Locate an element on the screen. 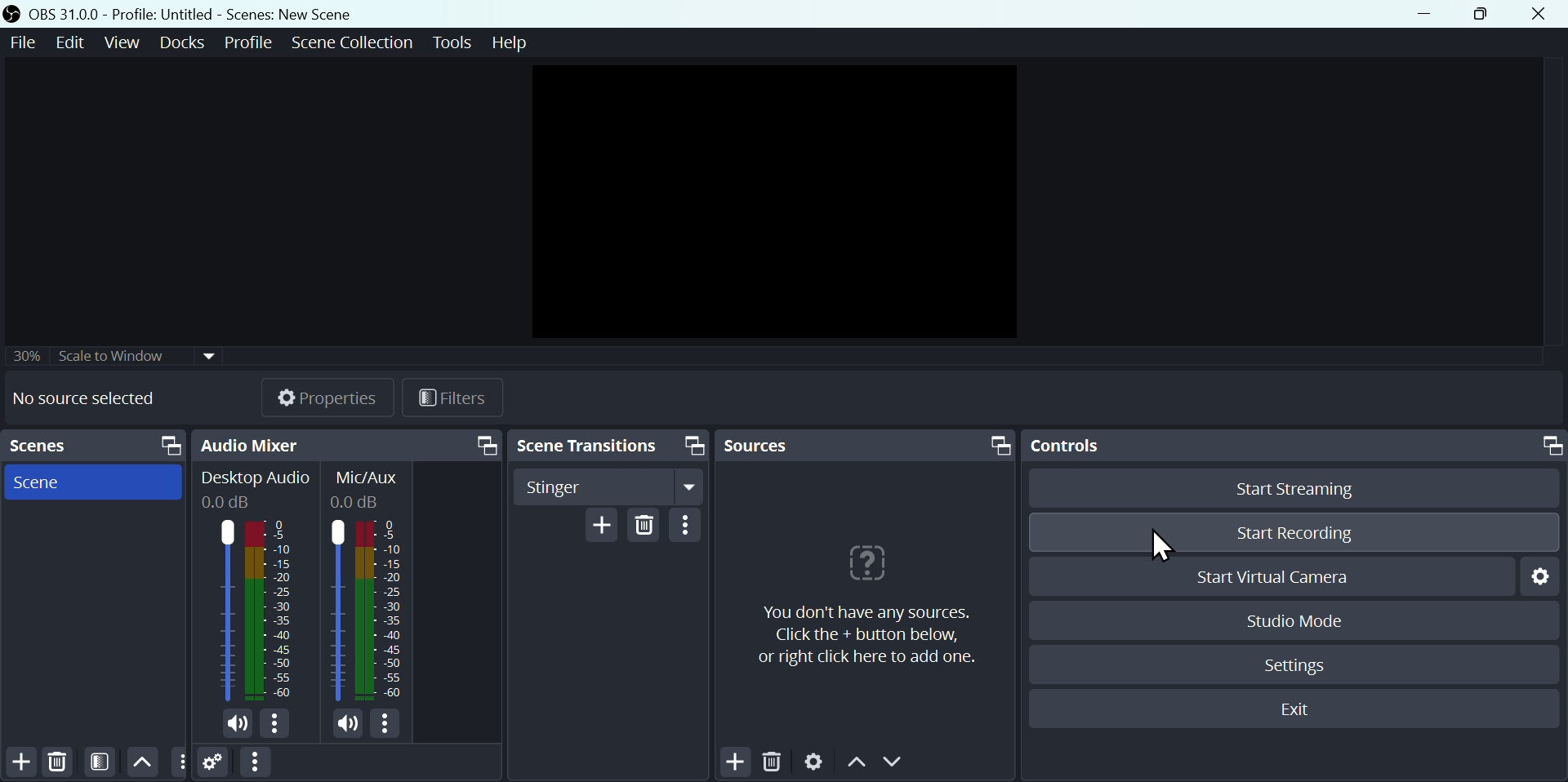 The height and width of the screenshot is (782, 1568). you don't have any sources. is located at coordinates (866, 634).